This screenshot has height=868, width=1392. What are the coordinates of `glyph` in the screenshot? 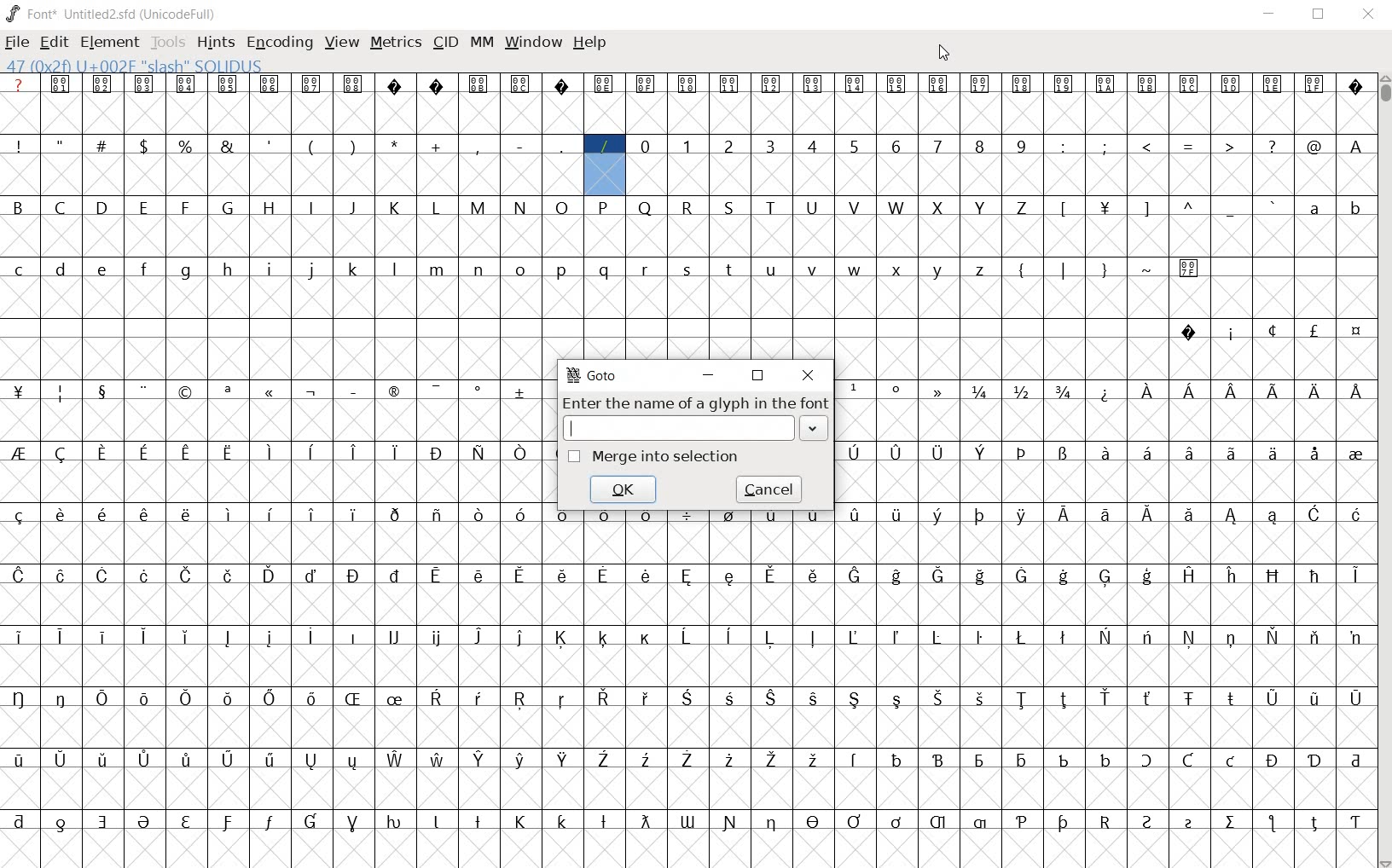 It's located at (435, 208).